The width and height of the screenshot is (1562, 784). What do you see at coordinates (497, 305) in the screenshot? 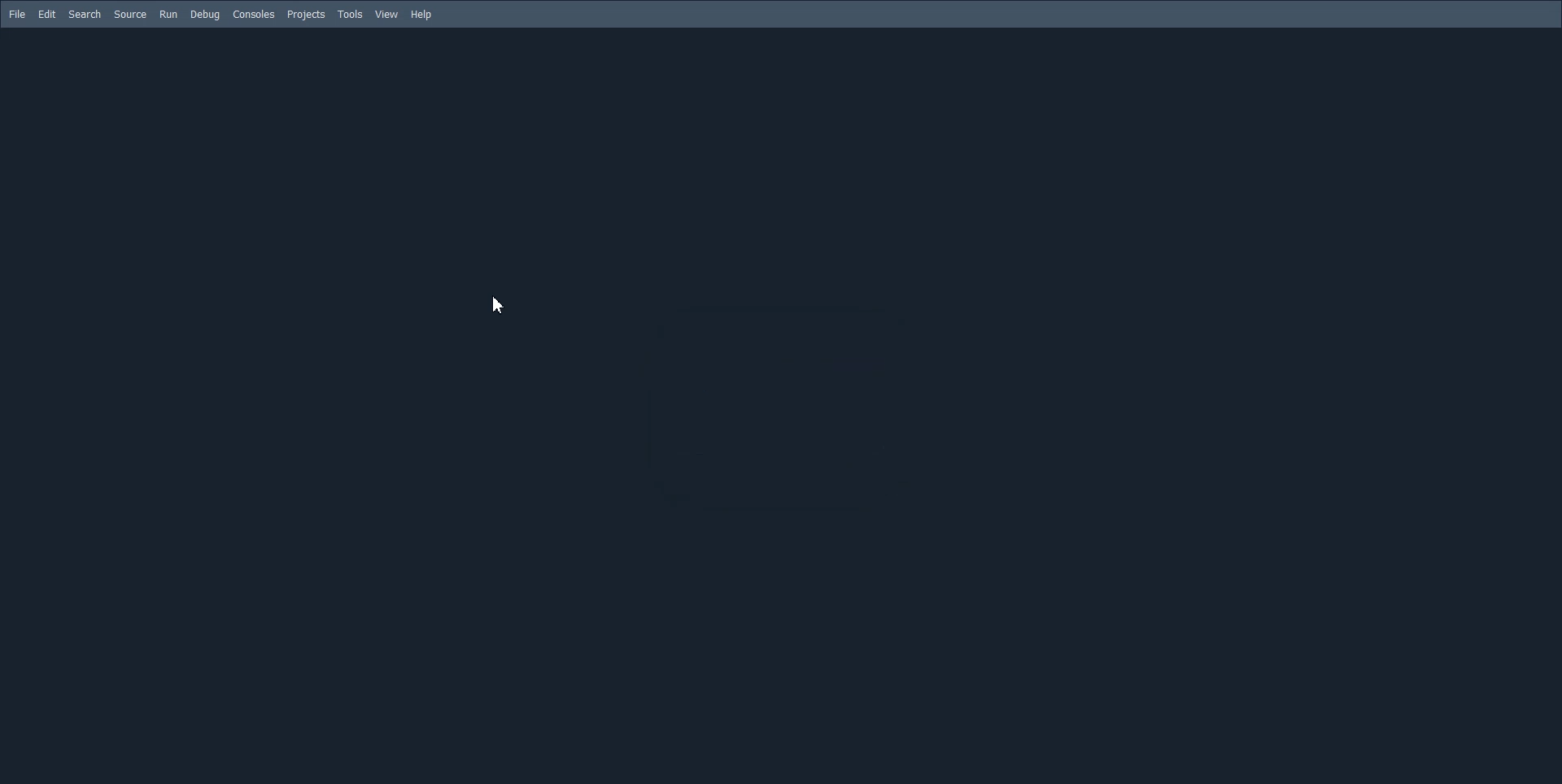
I see `Cursor` at bounding box center [497, 305].